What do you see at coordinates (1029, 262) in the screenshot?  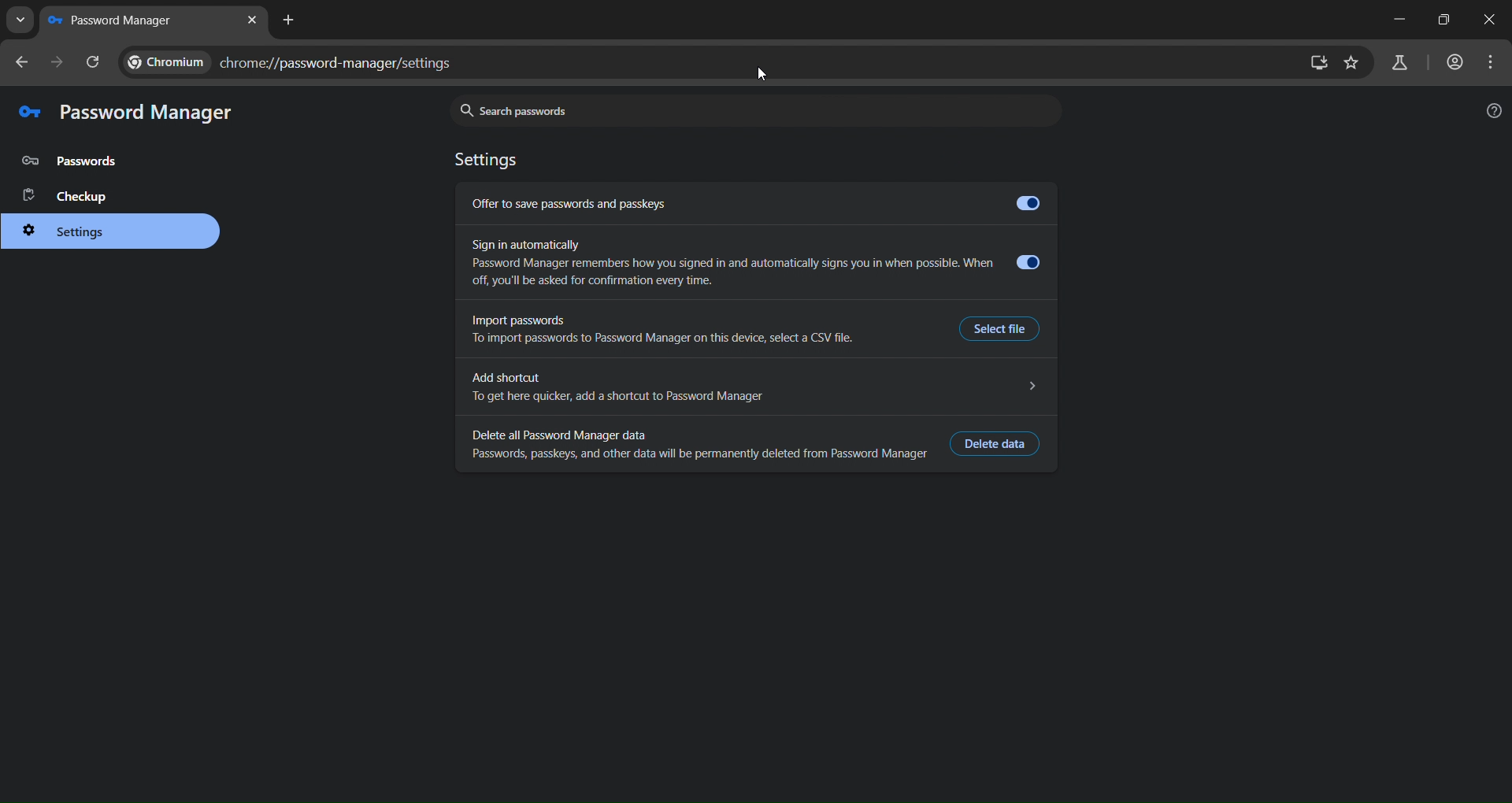 I see `Toggle` at bounding box center [1029, 262].